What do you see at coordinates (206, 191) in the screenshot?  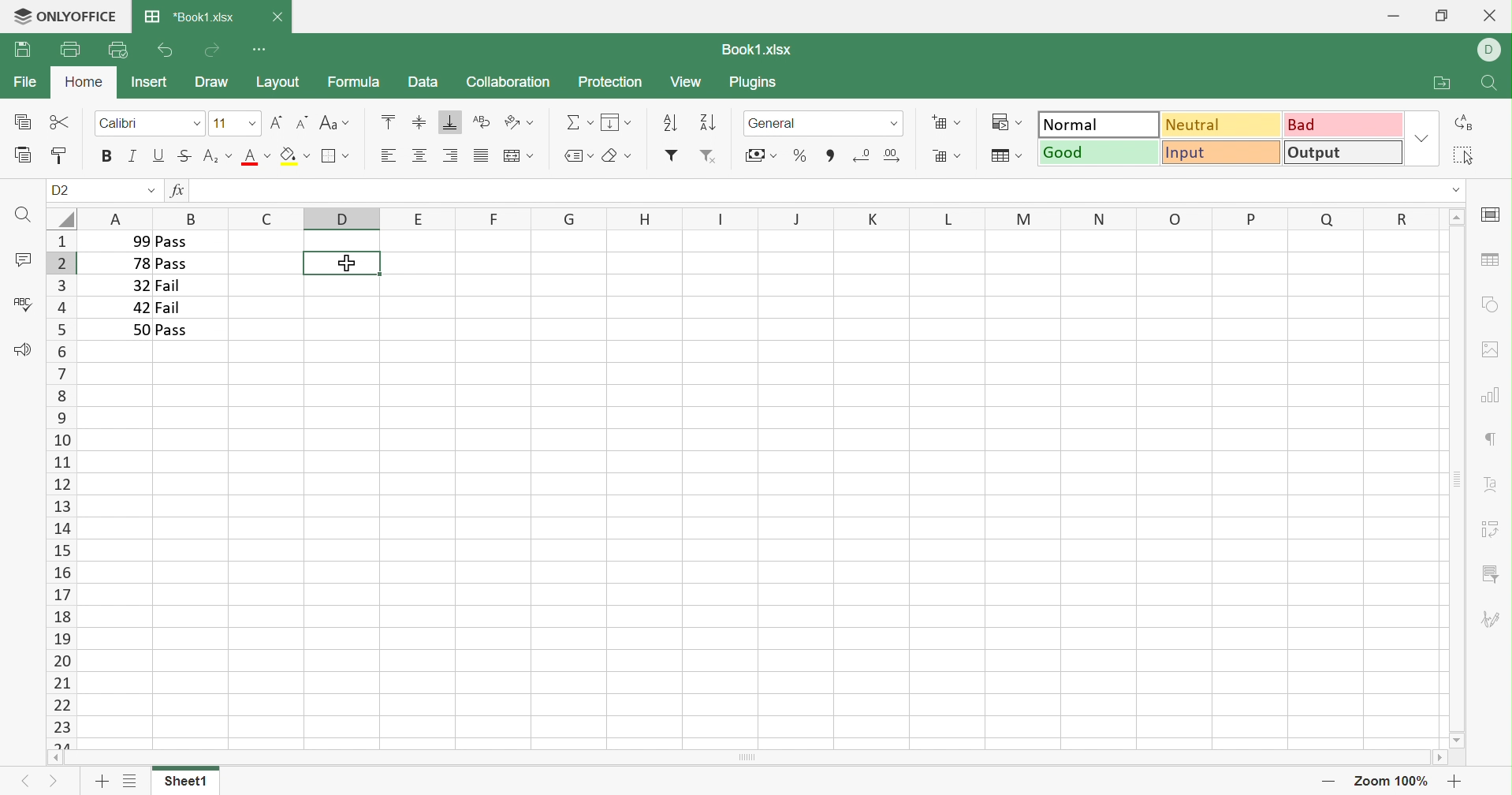 I see `99` at bounding box center [206, 191].